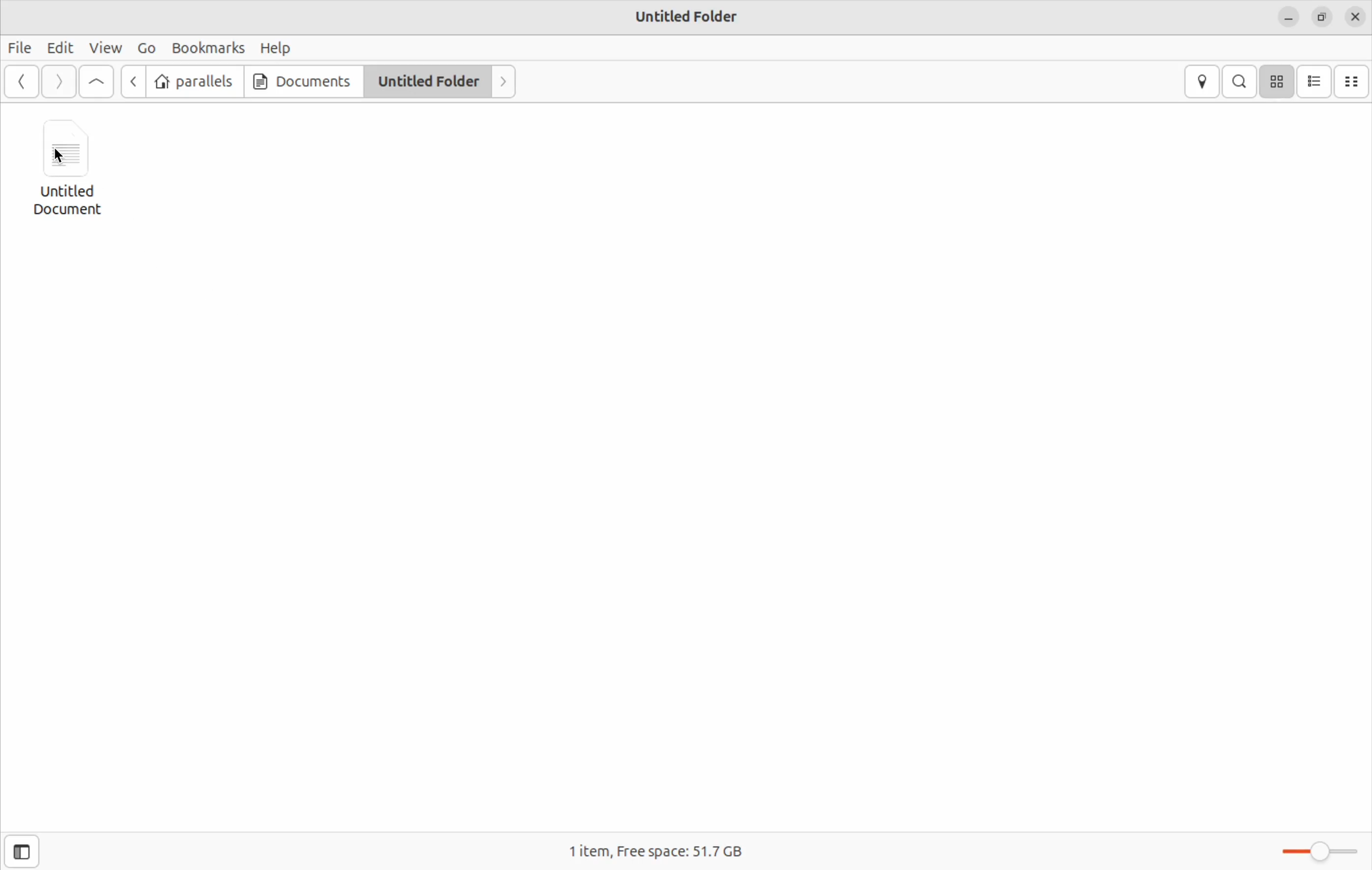 This screenshot has height=870, width=1372. Describe the element at coordinates (60, 48) in the screenshot. I see `Edit` at that location.